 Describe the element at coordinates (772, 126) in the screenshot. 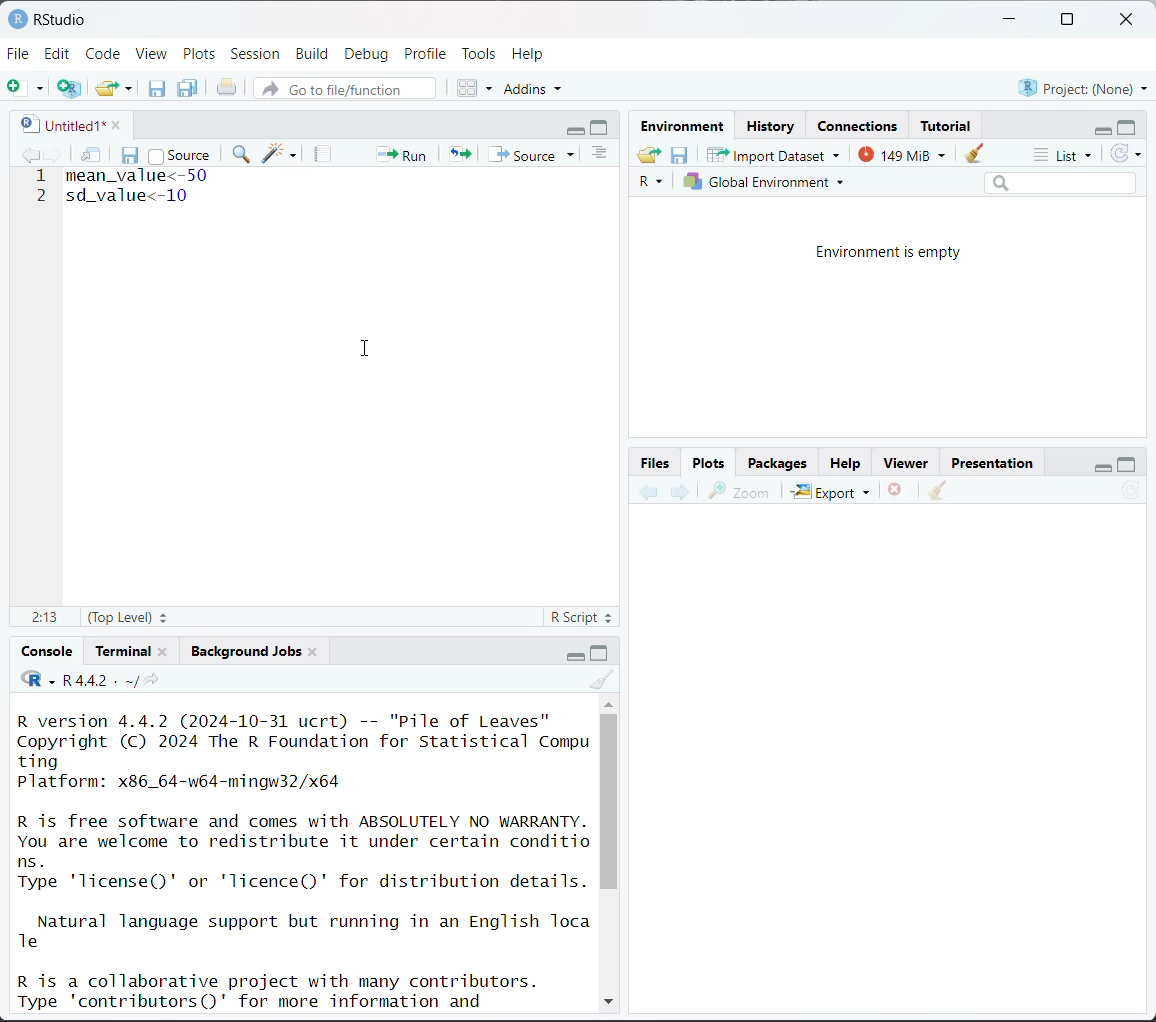

I see `History` at that location.